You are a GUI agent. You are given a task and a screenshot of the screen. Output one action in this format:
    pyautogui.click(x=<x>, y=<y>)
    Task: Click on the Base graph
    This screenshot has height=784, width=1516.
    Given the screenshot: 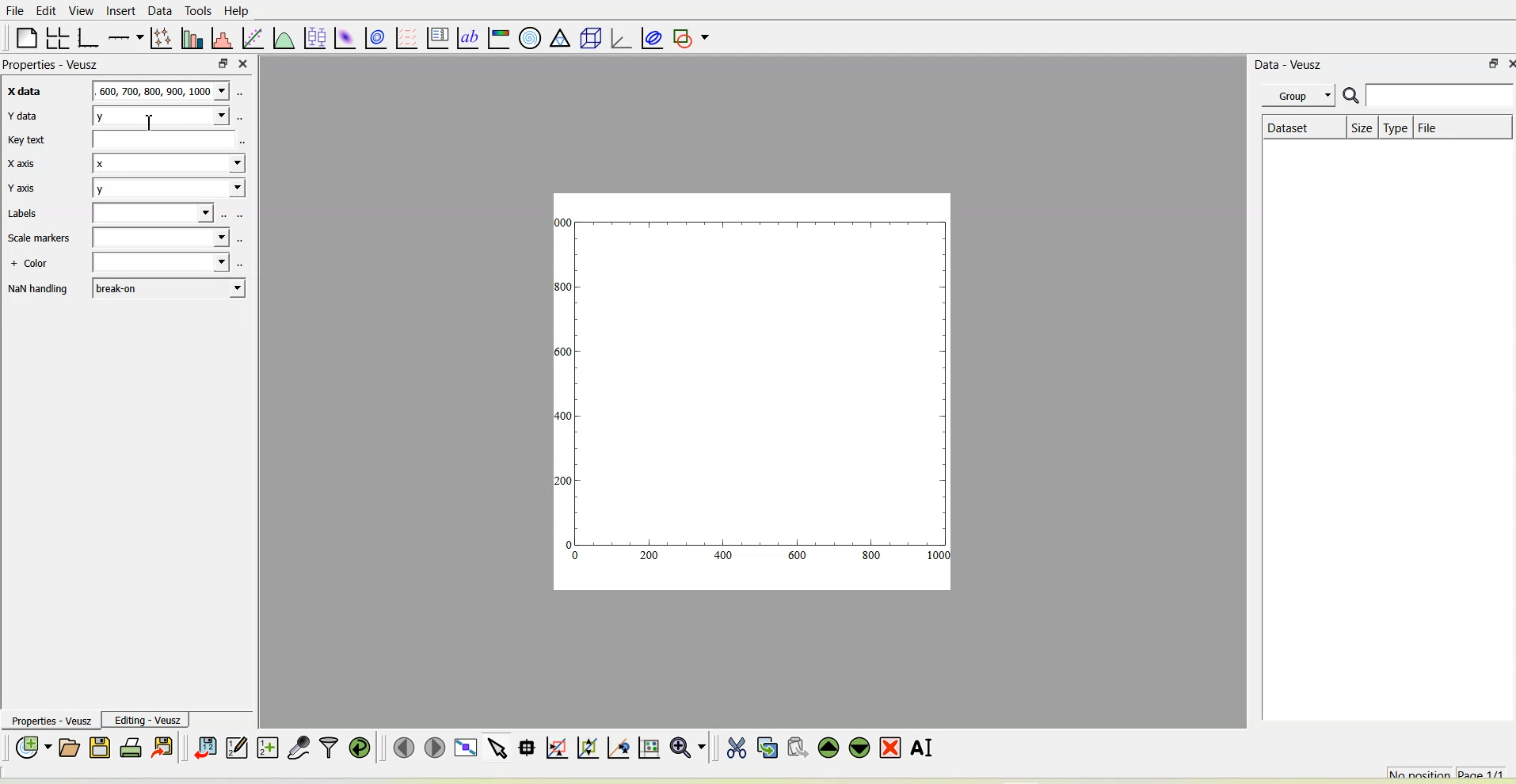 What is the action you would take?
    pyautogui.click(x=87, y=38)
    